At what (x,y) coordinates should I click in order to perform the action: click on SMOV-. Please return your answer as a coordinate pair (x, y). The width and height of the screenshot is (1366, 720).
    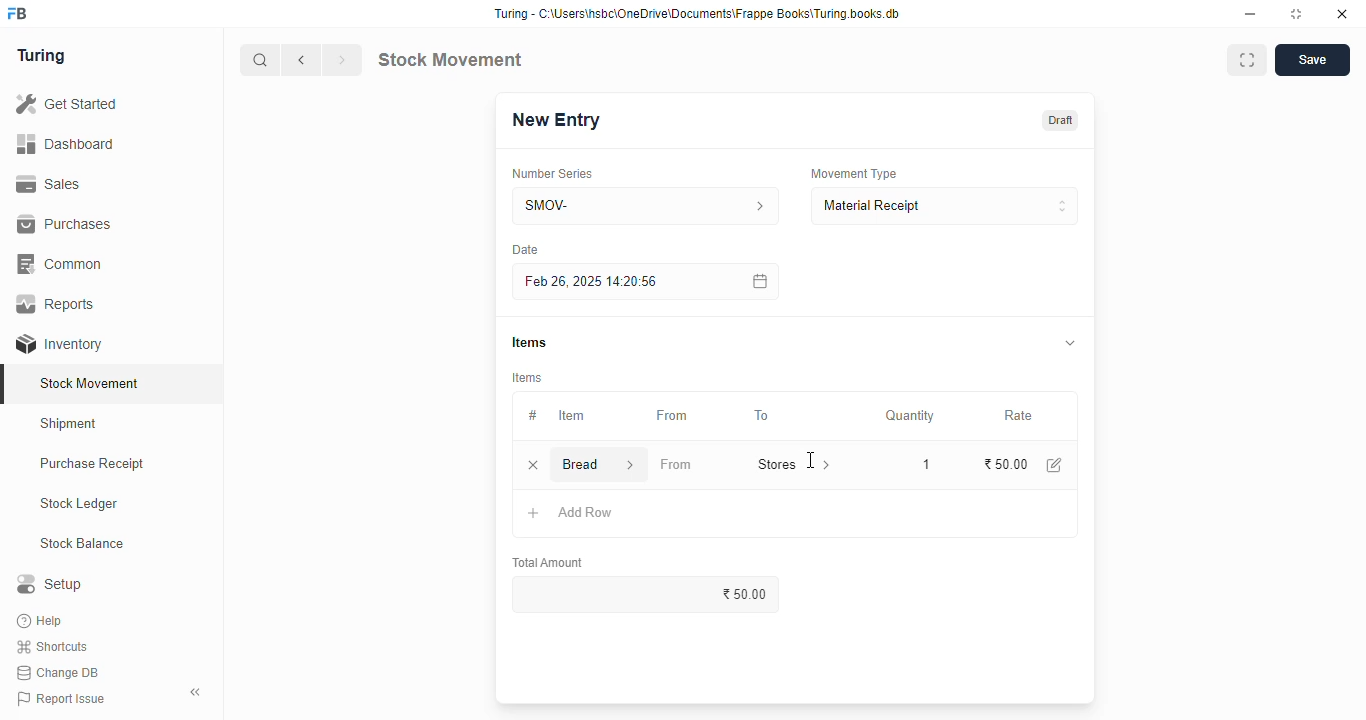
    Looking at the image, I should click on (647, 205).